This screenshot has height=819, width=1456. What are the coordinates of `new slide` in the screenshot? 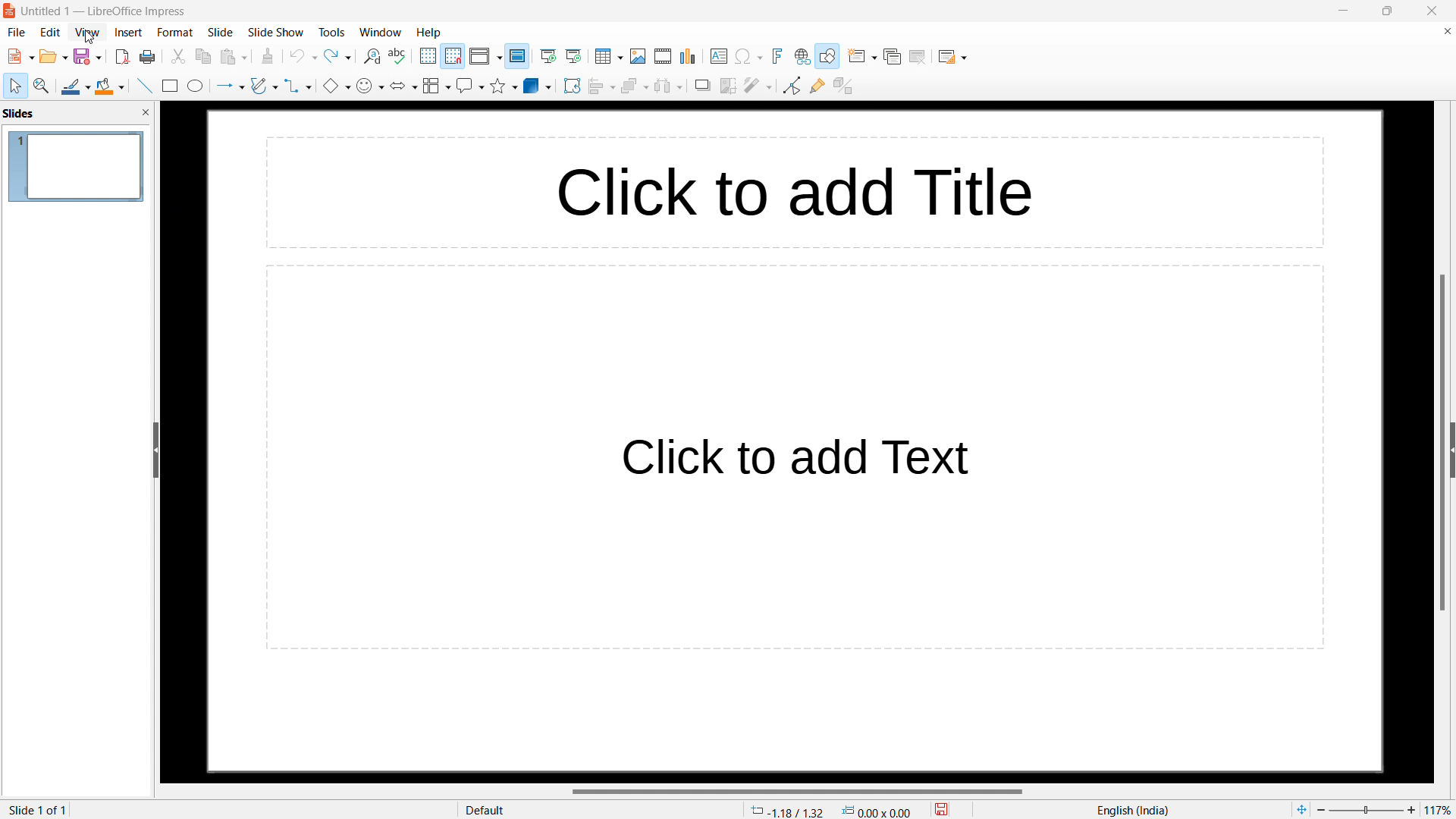 It's located at (861, 56).